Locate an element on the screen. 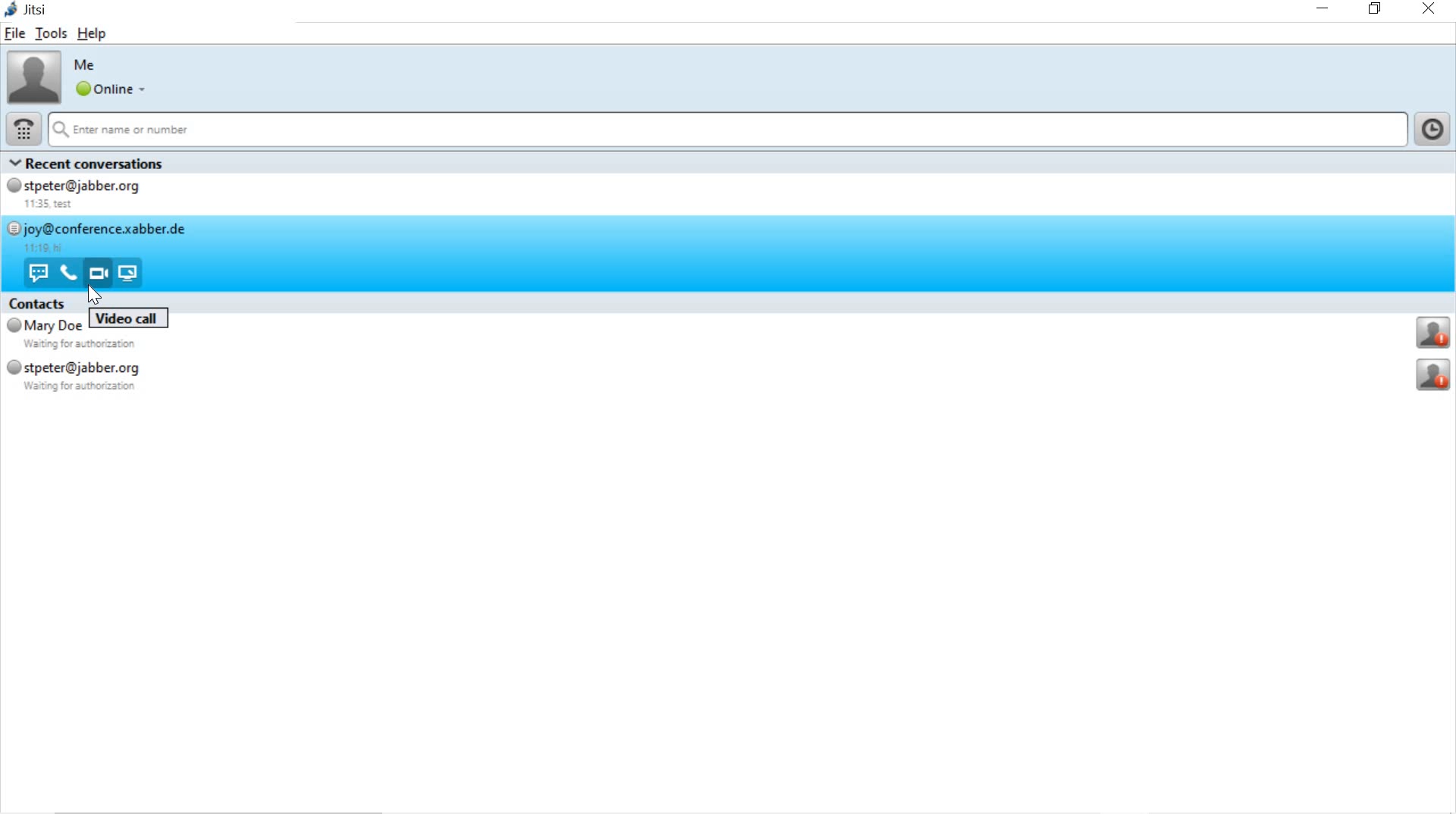 Image resolution: width=1456 pixels, height=814 pixels. send message is located at coordinates (37, 272).